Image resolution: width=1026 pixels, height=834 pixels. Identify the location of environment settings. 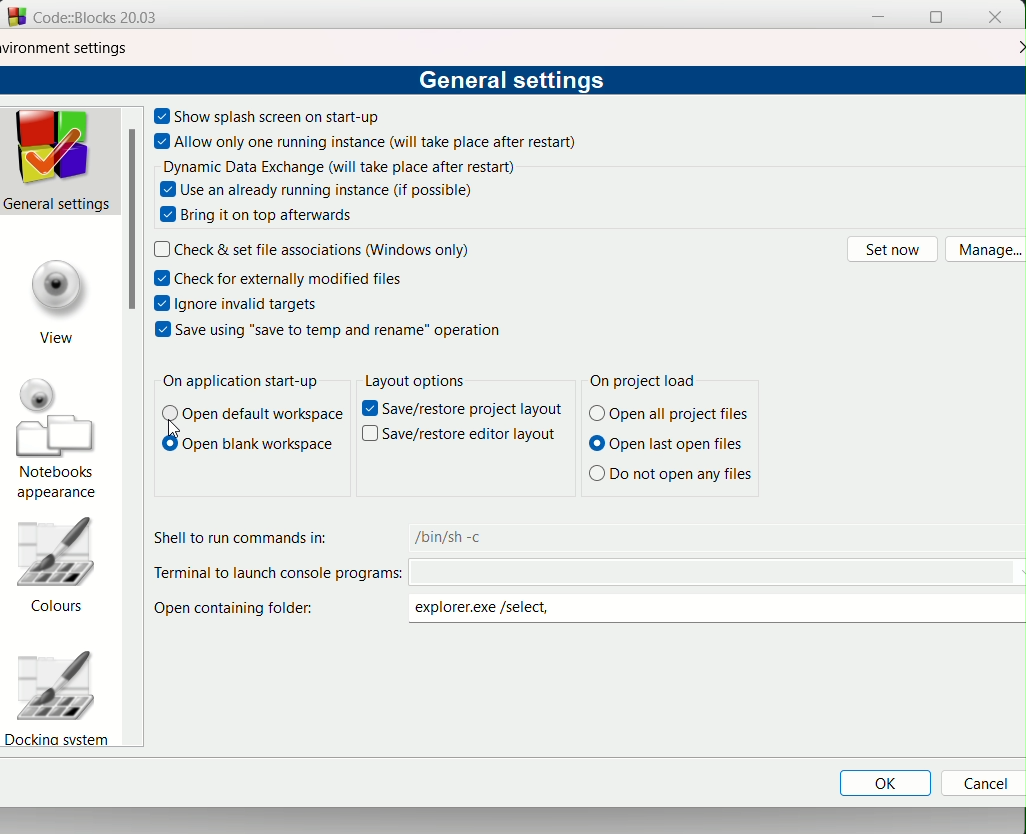
(65, 46).